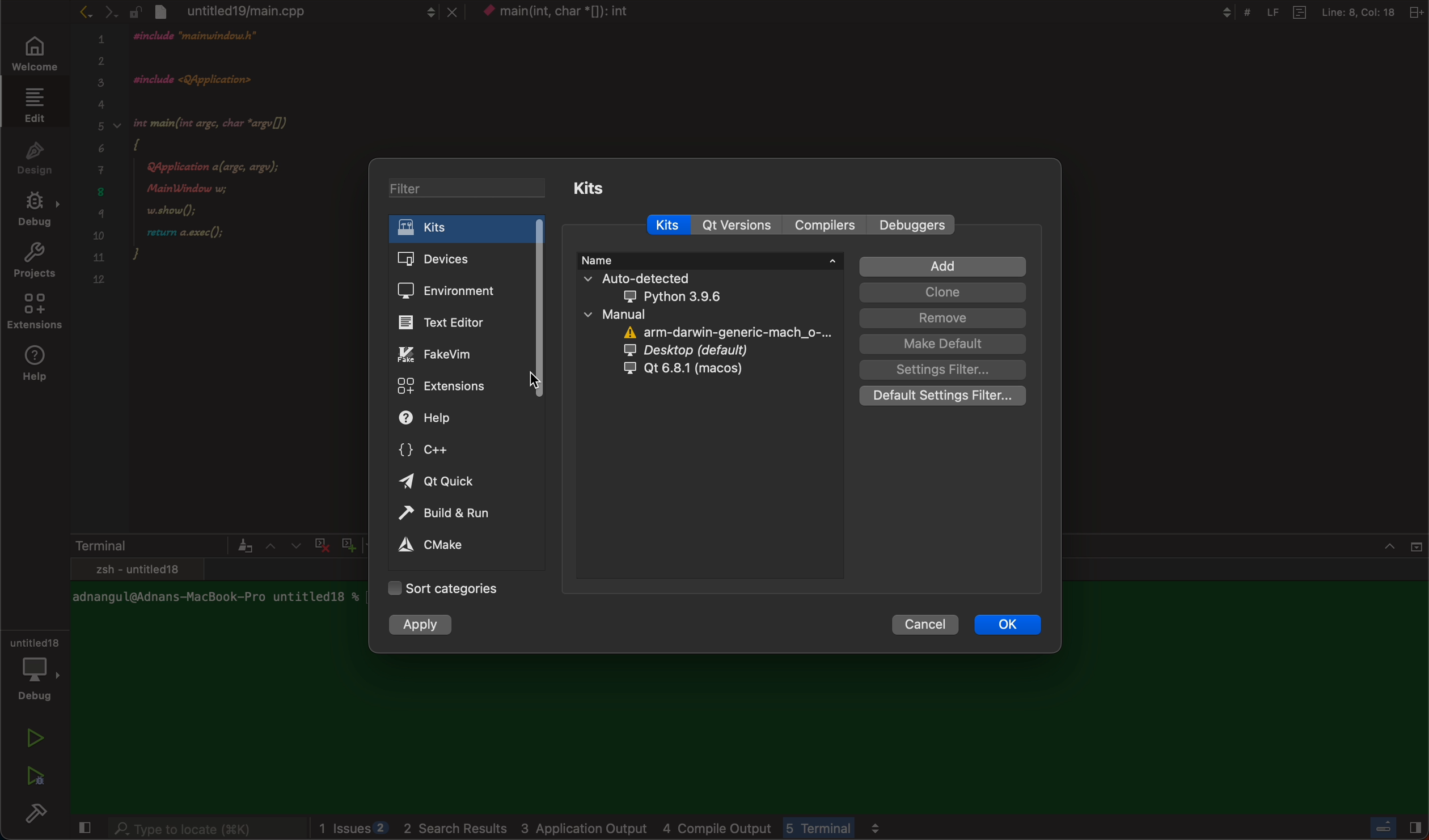 The width and height of the screenshot is (1429, 840). What do you see at coordinates (467, 321) in the screenshot?
I see `text editor` at bounding box center [467, 321].